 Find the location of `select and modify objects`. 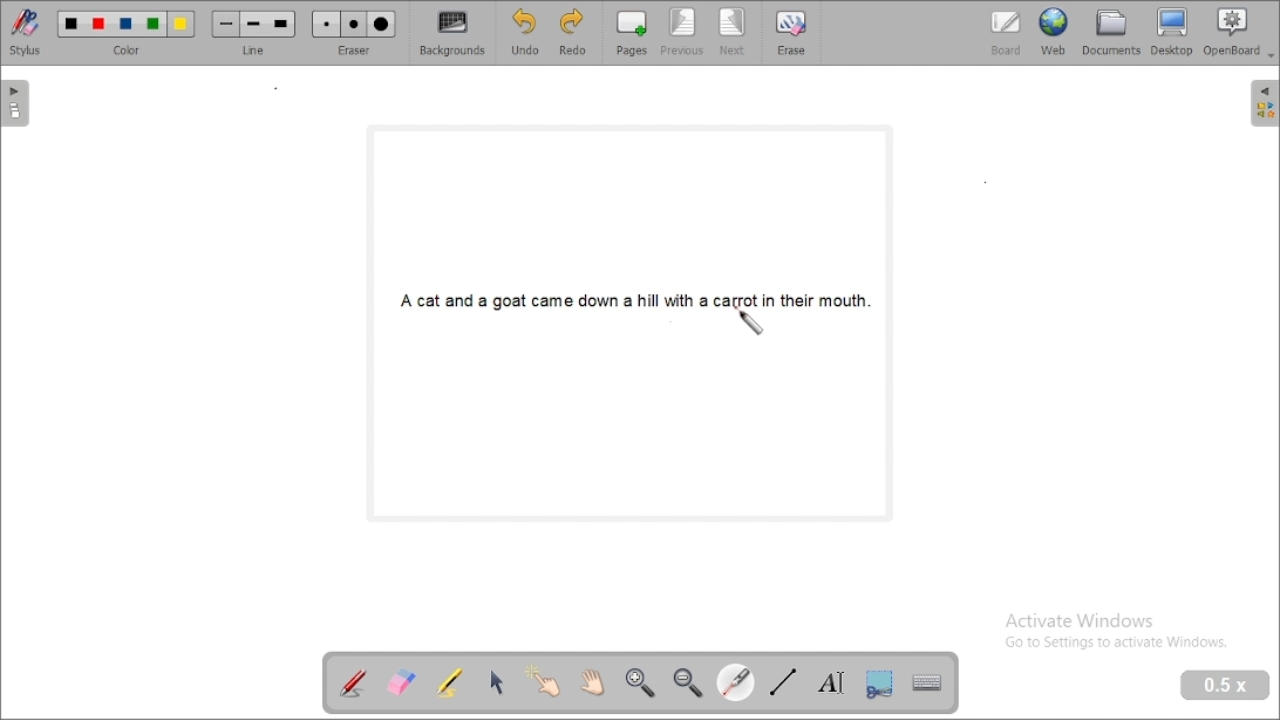

select and modify objects is located at coordinates (496, 683).